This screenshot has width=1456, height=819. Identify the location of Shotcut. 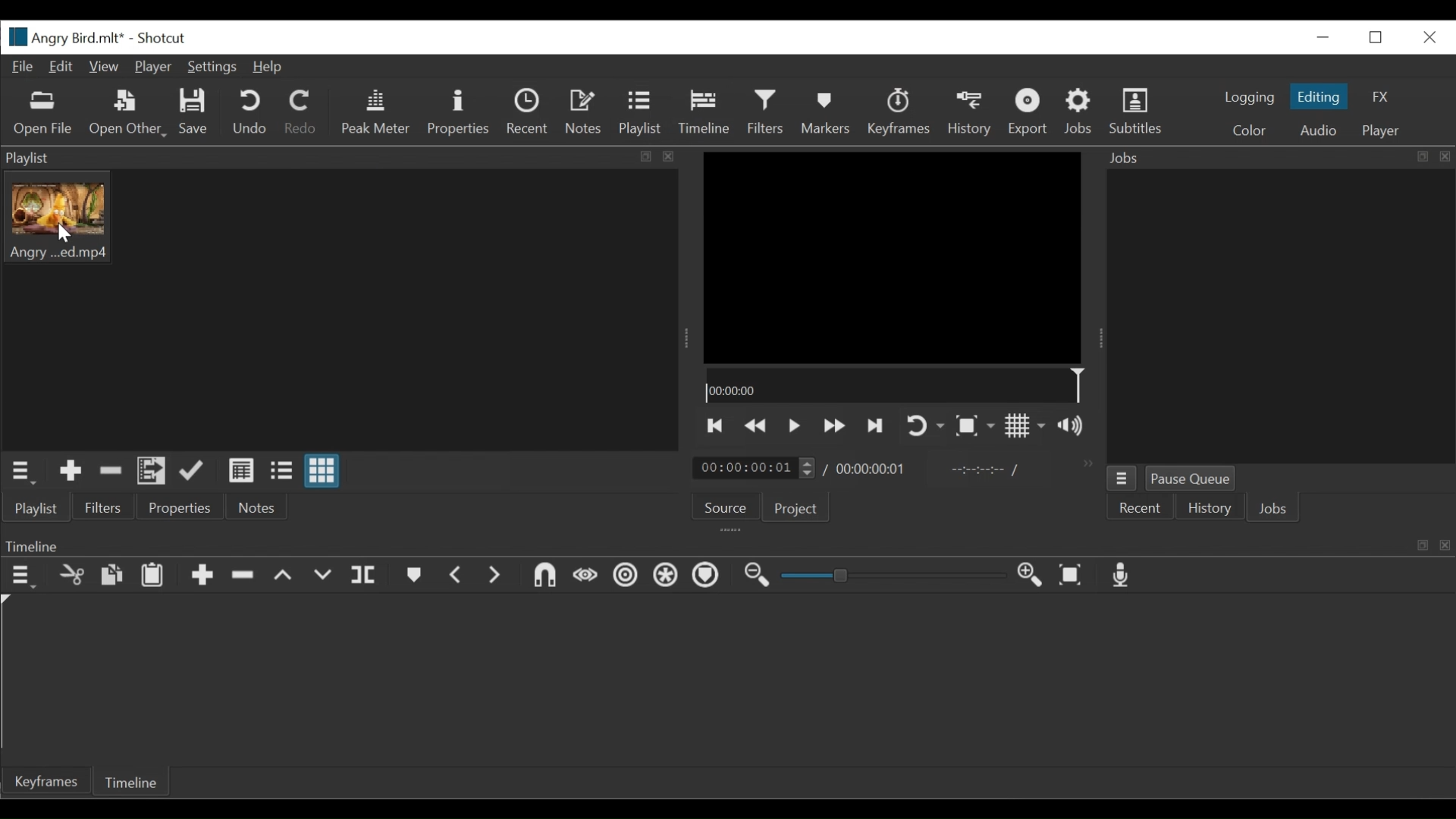
(162, 39).